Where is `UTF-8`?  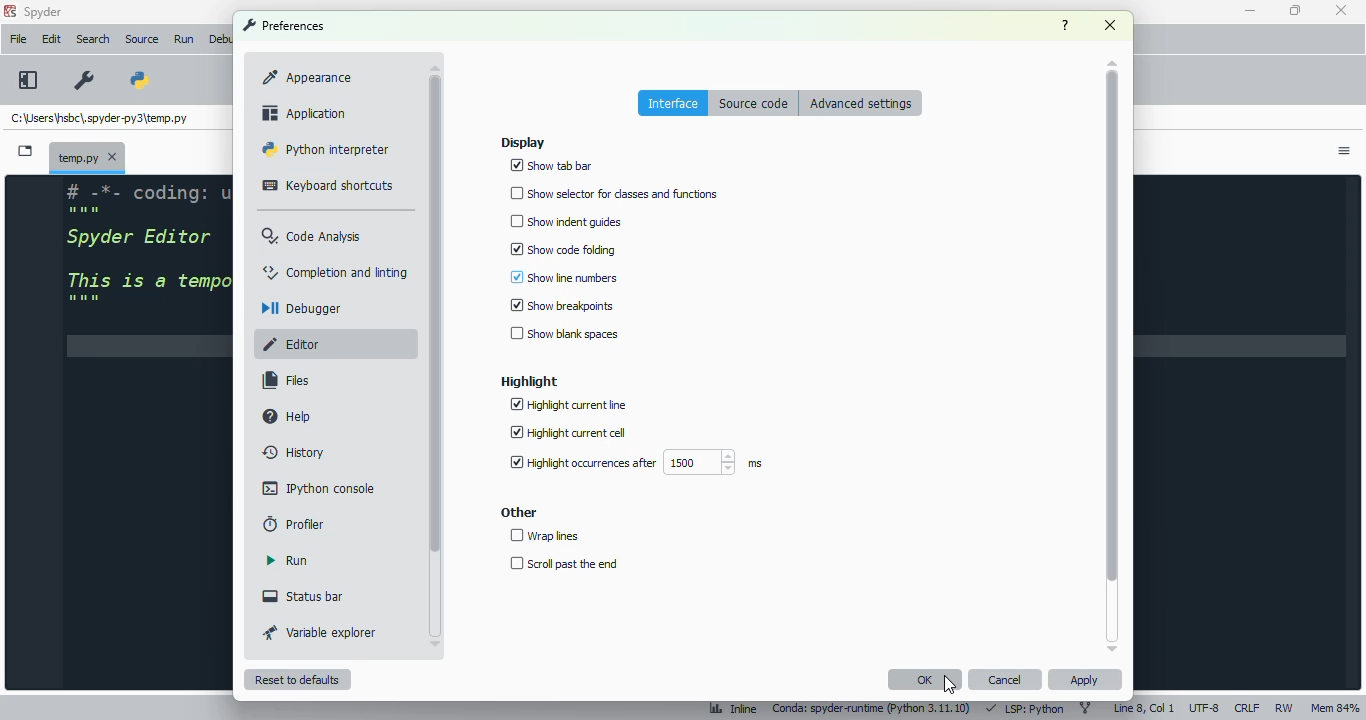
UTF-8 is located at coordinates (1205, 708).